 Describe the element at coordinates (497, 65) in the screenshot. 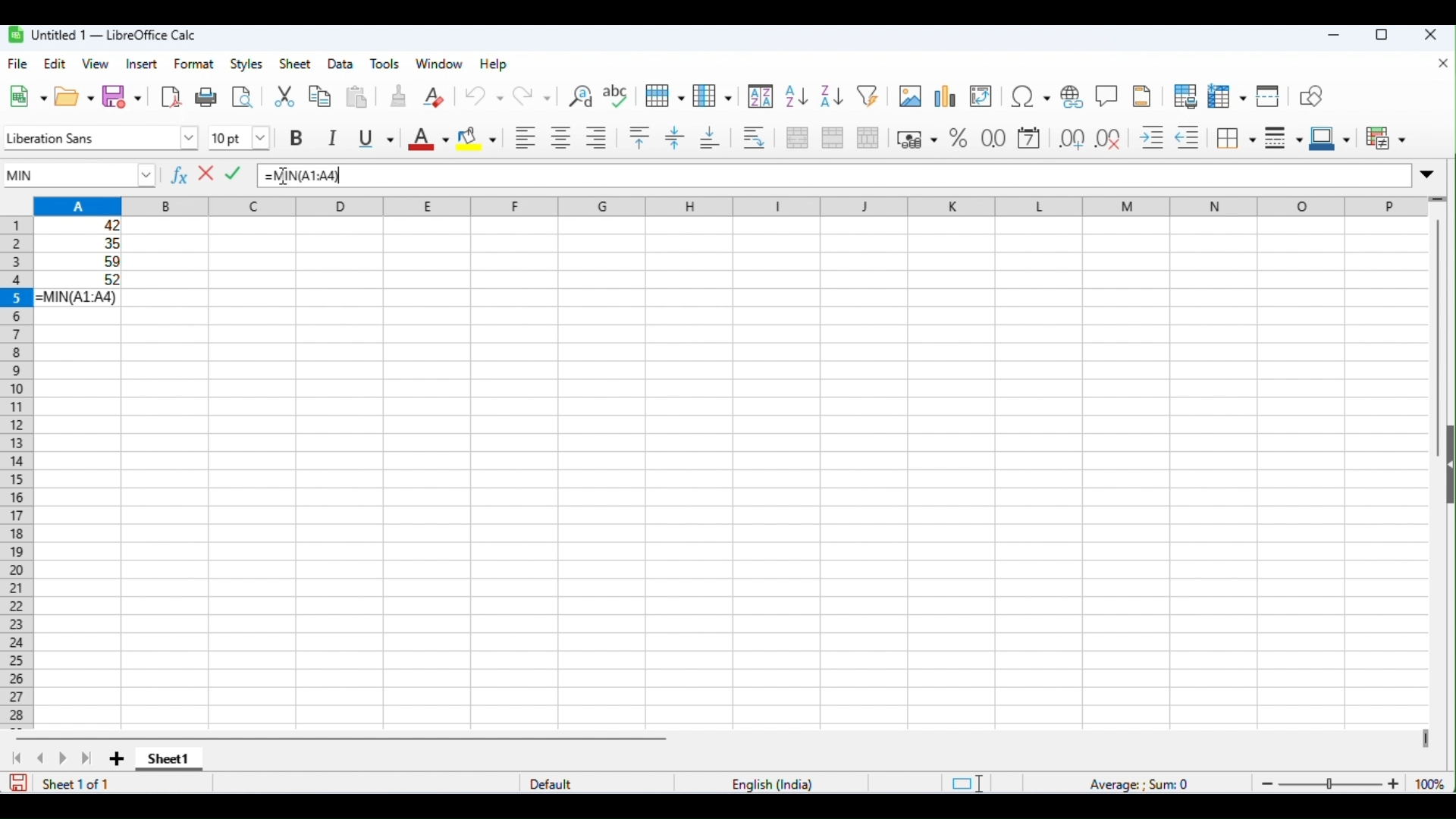

I see `help` at that location.